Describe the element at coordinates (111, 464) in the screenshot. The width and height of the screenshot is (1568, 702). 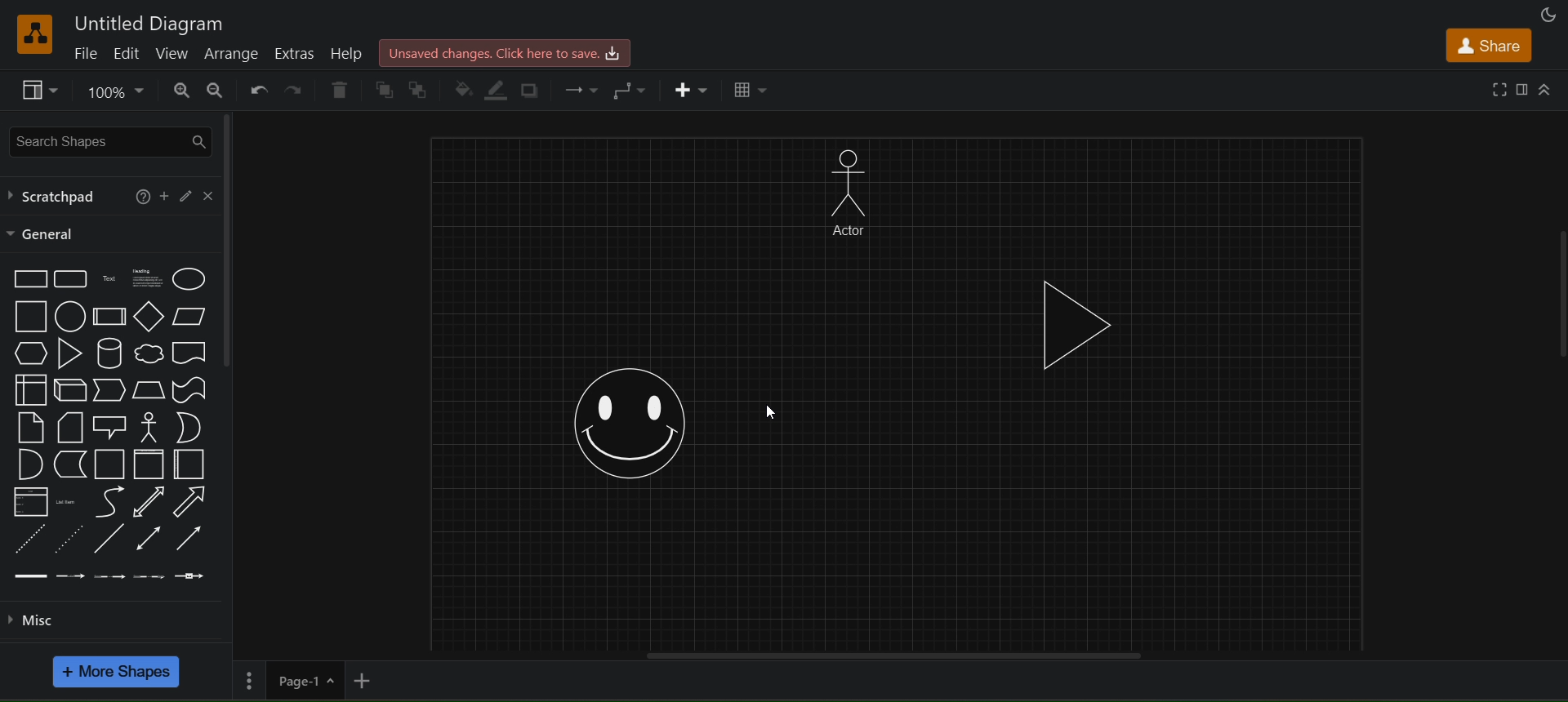
I see `container` at that location.